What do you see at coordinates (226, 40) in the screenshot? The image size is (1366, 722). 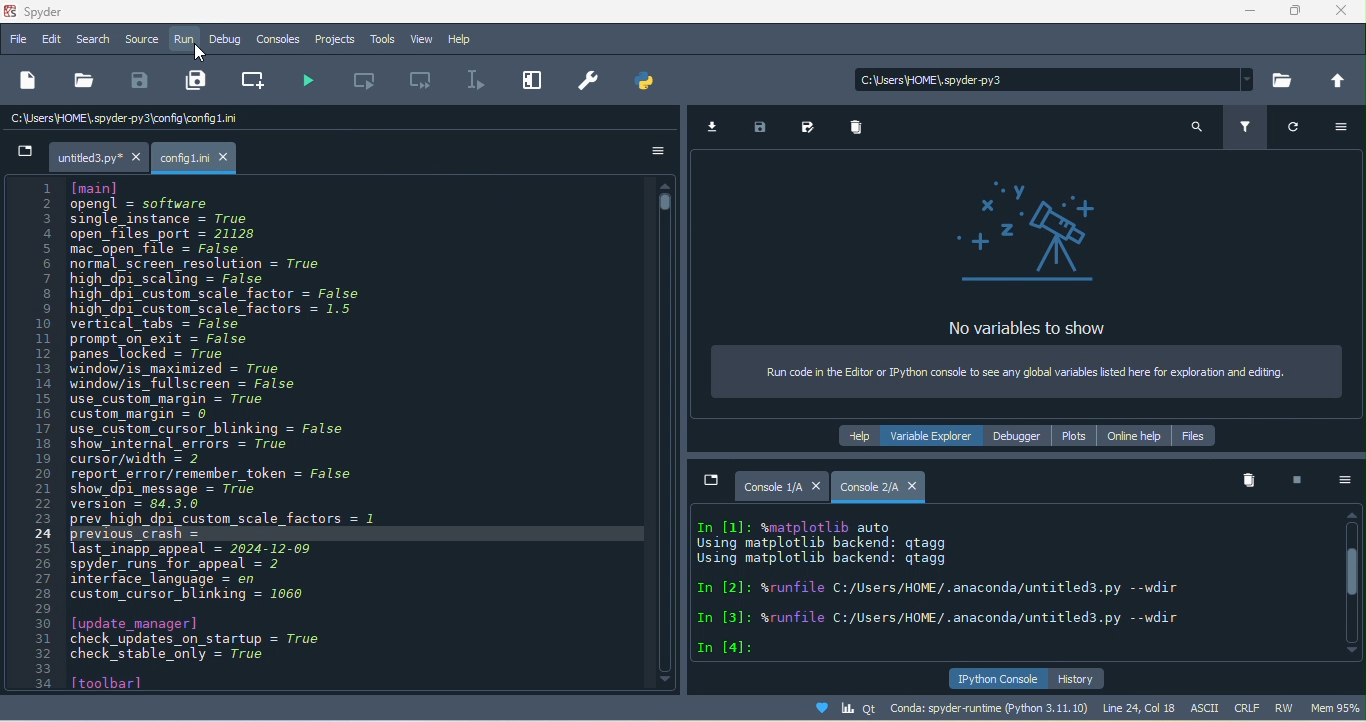 I see `debug` at bounding box center [226, 40].